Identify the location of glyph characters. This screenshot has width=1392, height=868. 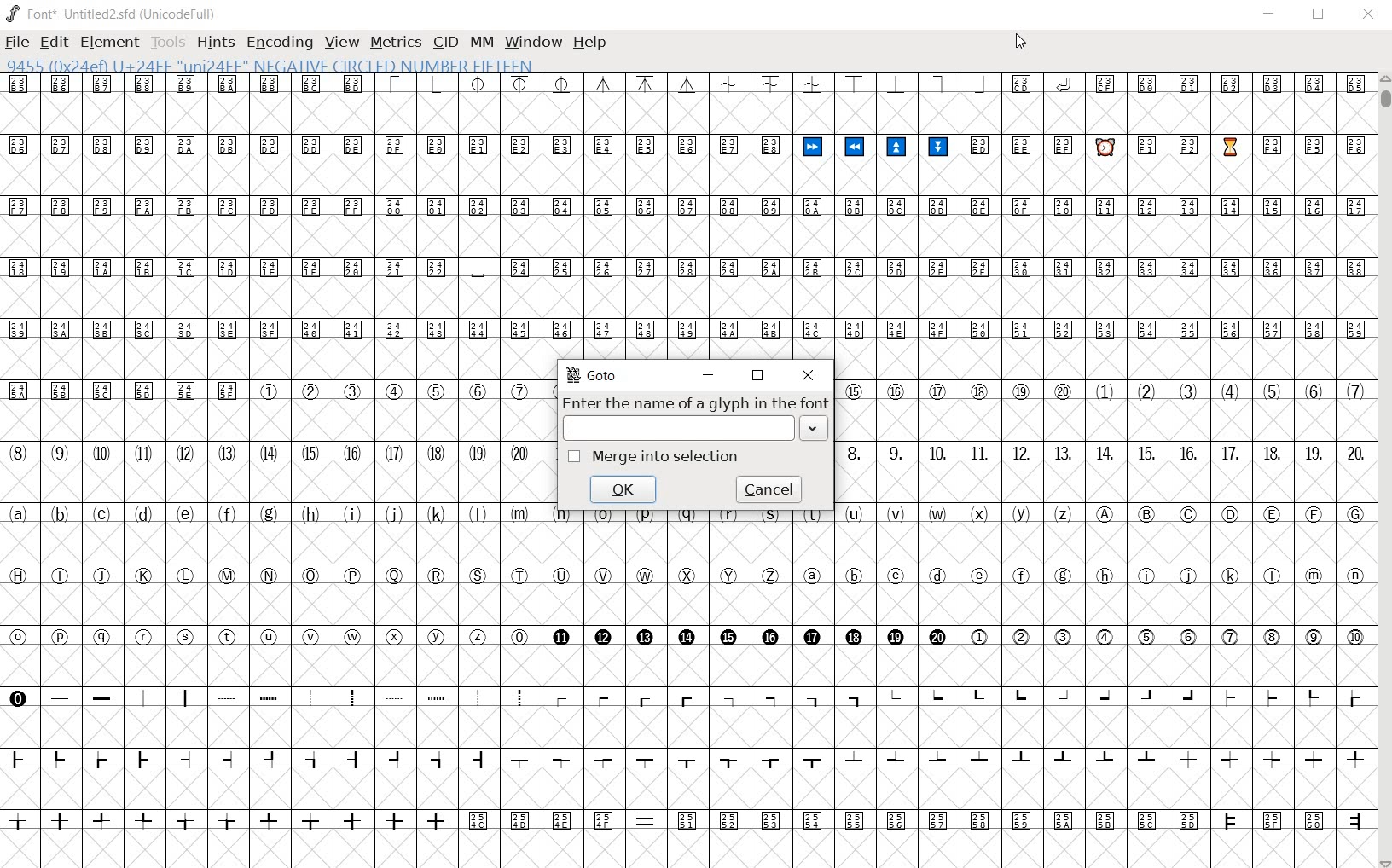
(959, 713).